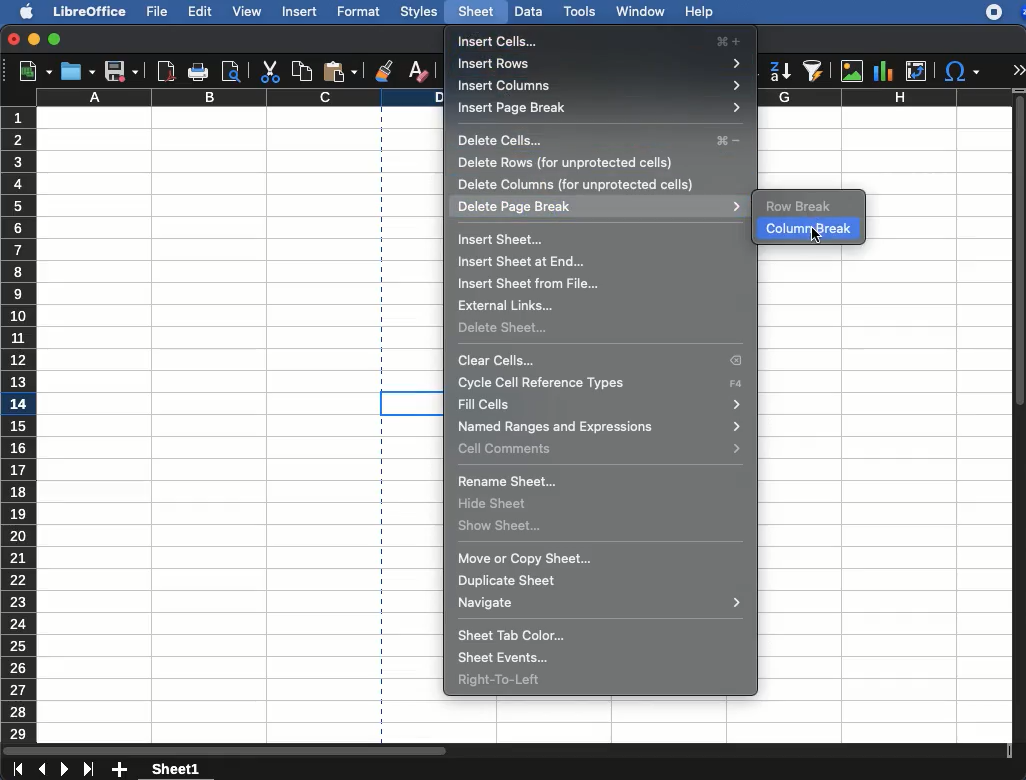 Image resolution: width=1026 pixels, height=780 pixels. I want to click on clear formatting, so click(417, 68).